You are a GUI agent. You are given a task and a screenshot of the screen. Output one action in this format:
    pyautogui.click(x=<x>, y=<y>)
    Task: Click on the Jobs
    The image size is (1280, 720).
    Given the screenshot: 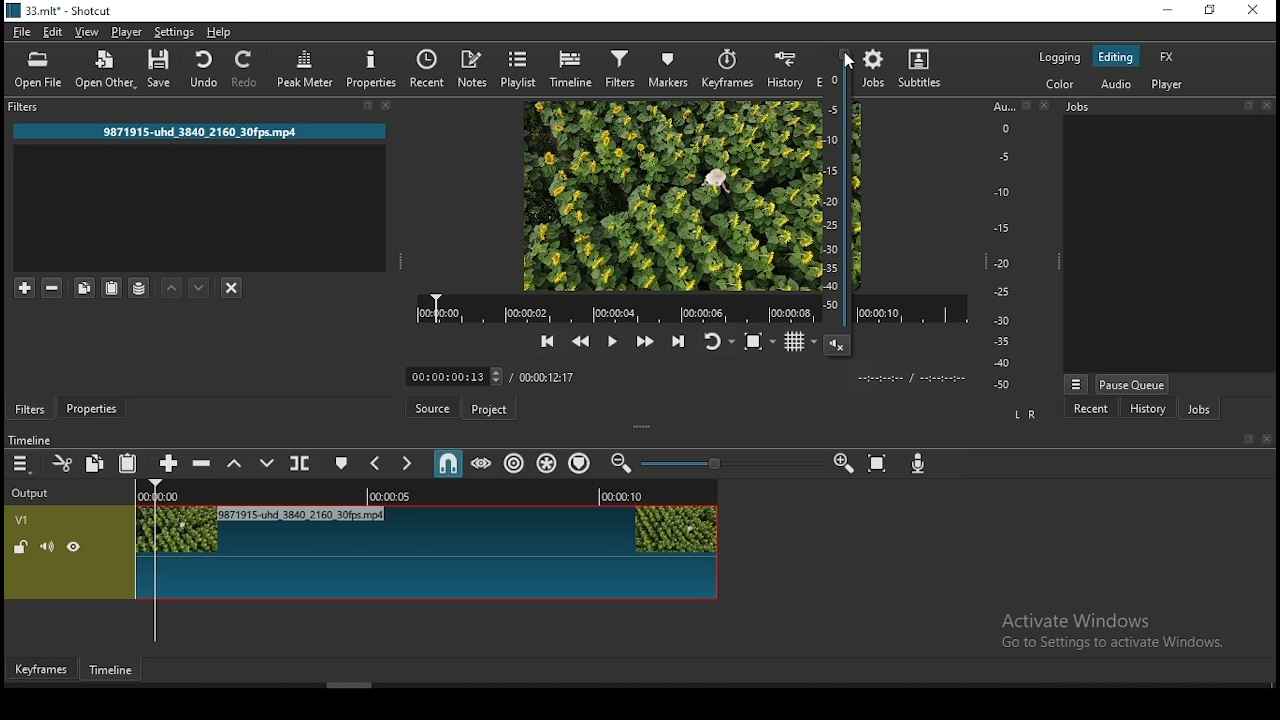 What is the action you would take?
    pyautogui.click(x=1088, y=108)
    